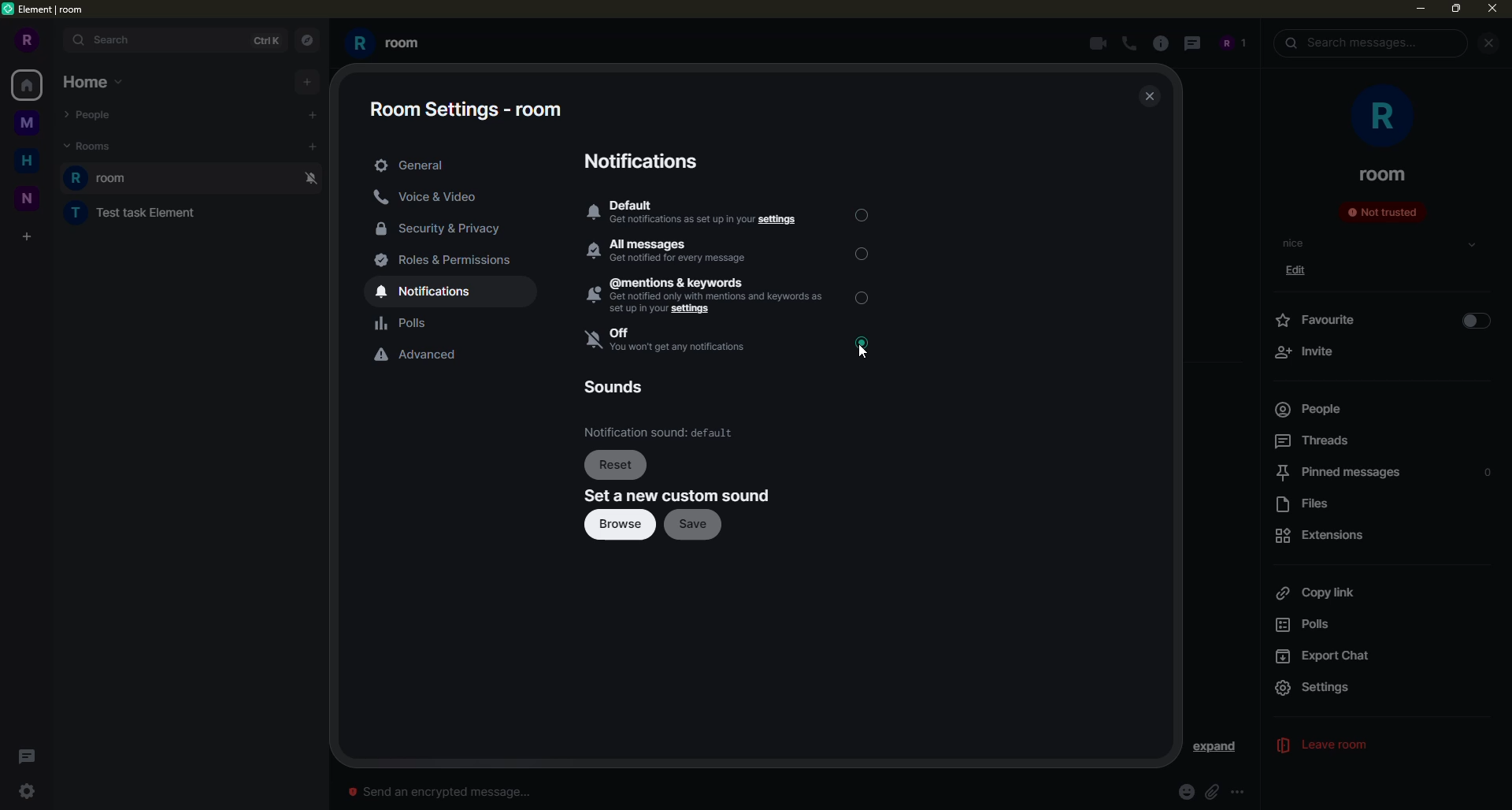 This screenshot has width=1512, height=810. Describe the element at coordinates (862, 254) in the screenshot. I see `click to select` at that location.